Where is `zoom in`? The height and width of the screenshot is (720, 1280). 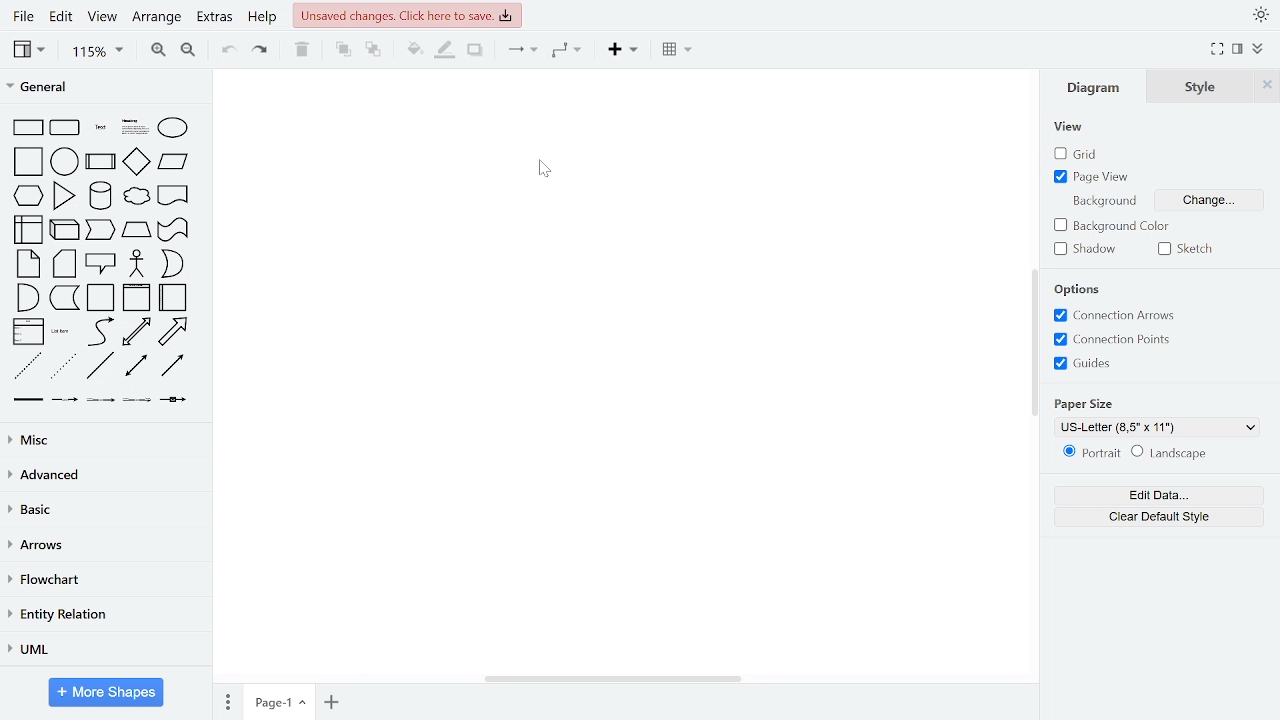 zoom in is located at coordinates (158, 50).